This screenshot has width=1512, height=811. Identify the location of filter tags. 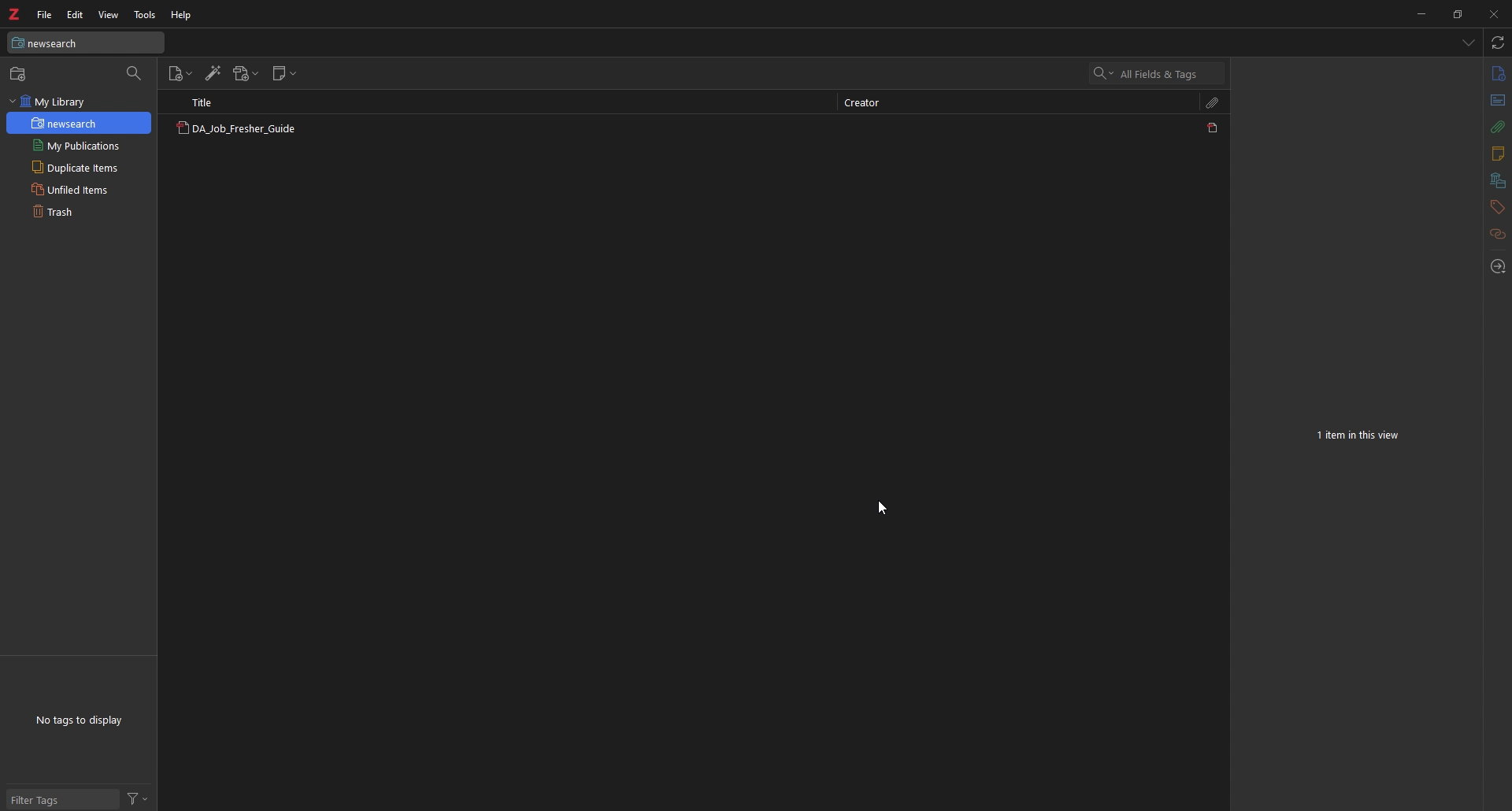
(63, 799).